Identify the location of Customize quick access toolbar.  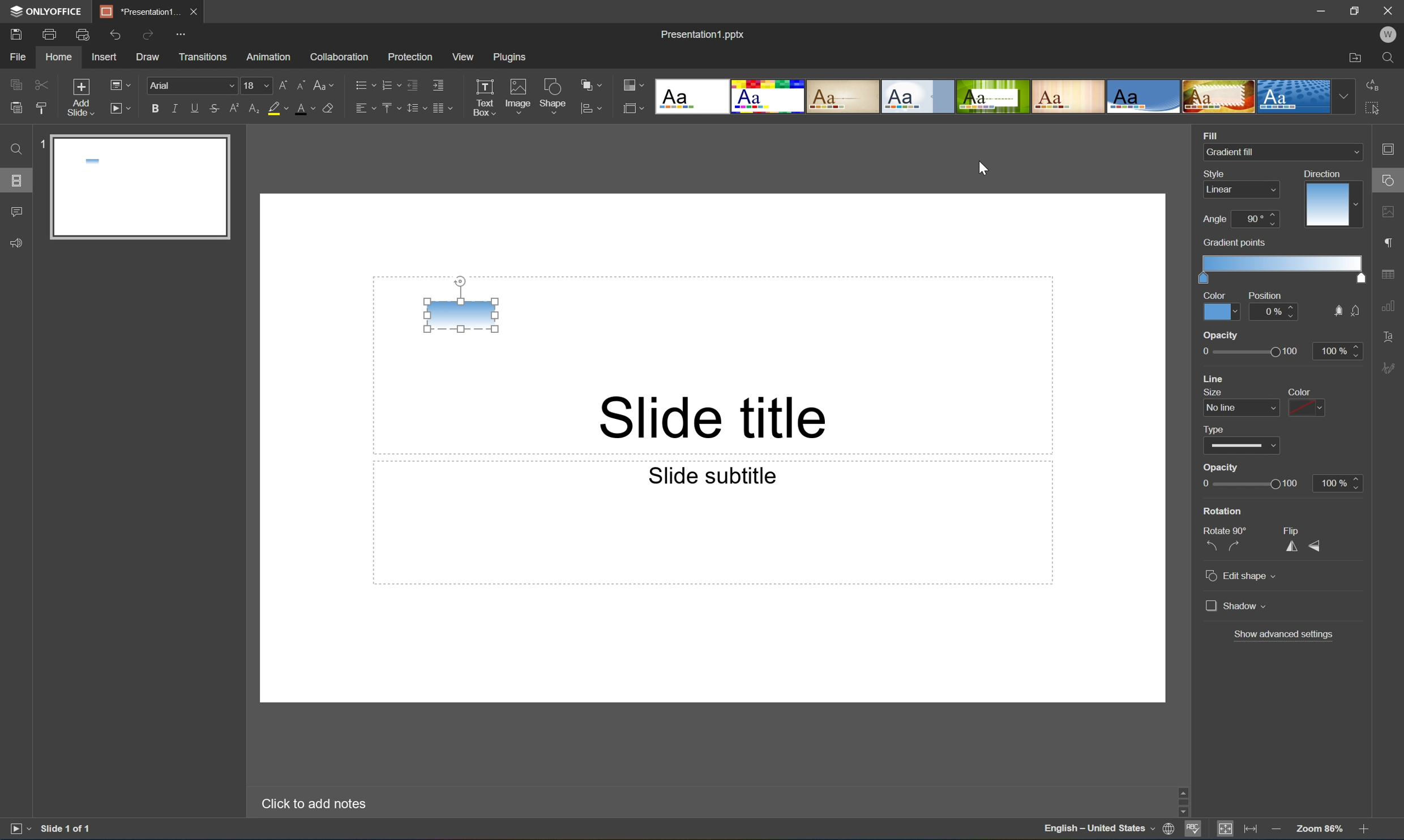
(185, 33).